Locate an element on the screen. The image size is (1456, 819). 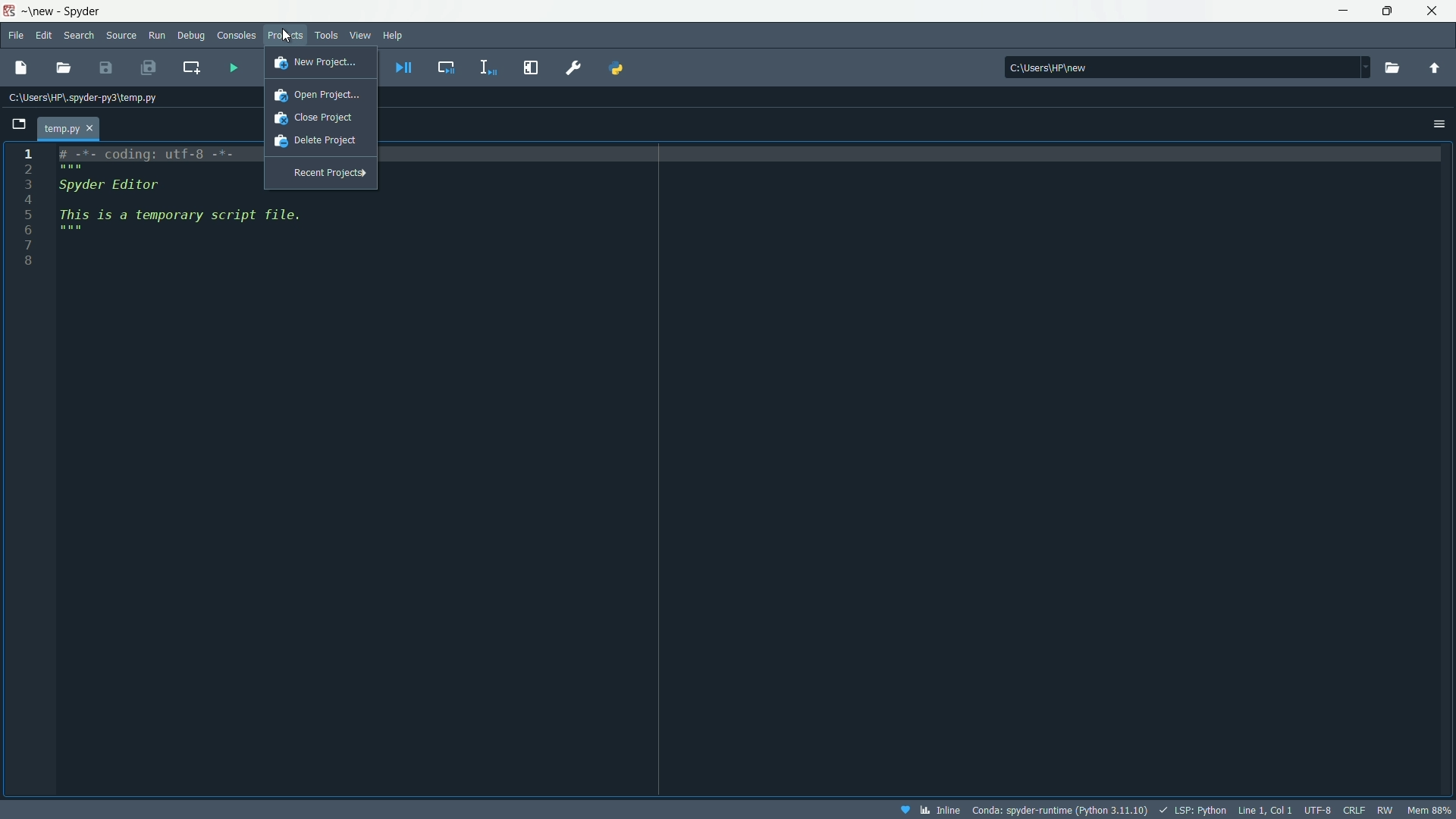
C:\Users\HP\.spyder-py3\temp.py is located at coordinates (85, 96).